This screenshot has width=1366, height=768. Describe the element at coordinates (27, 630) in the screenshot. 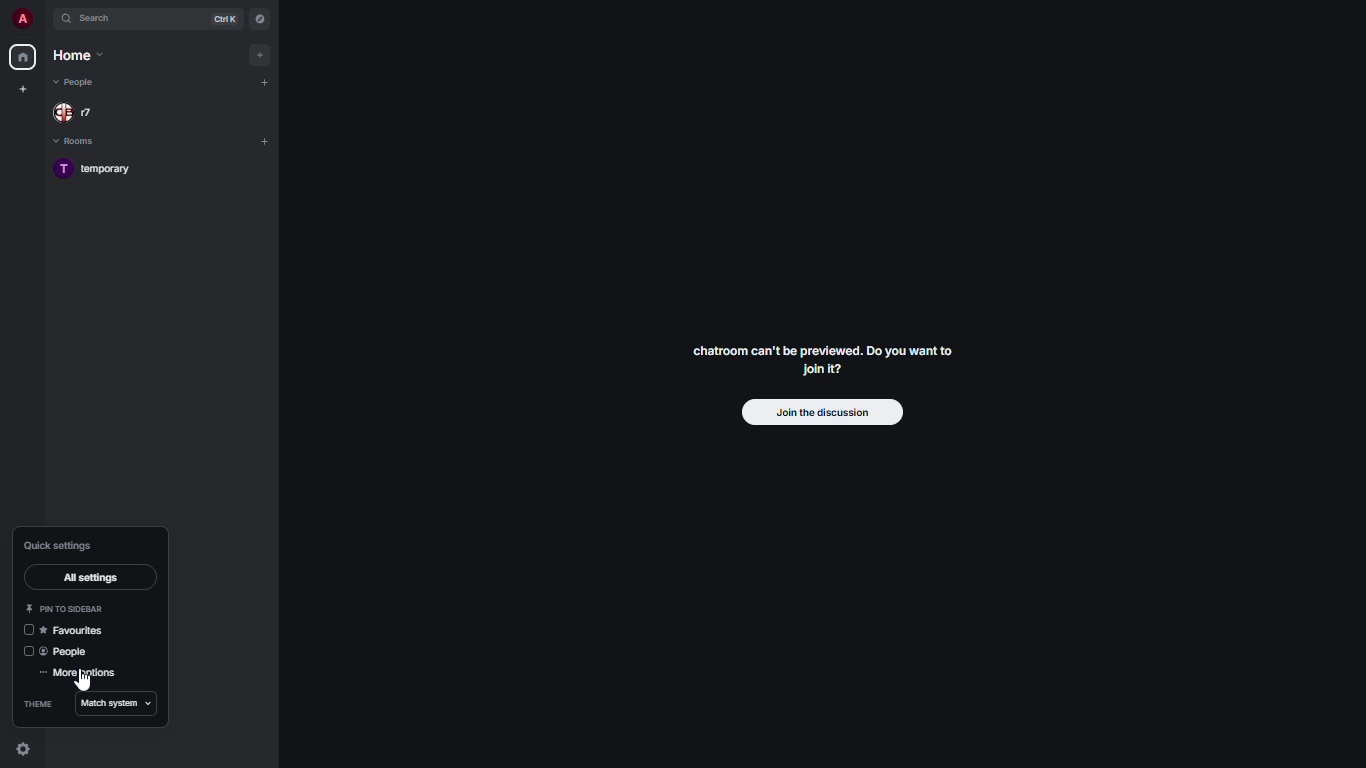

I see `disabled` at that location.